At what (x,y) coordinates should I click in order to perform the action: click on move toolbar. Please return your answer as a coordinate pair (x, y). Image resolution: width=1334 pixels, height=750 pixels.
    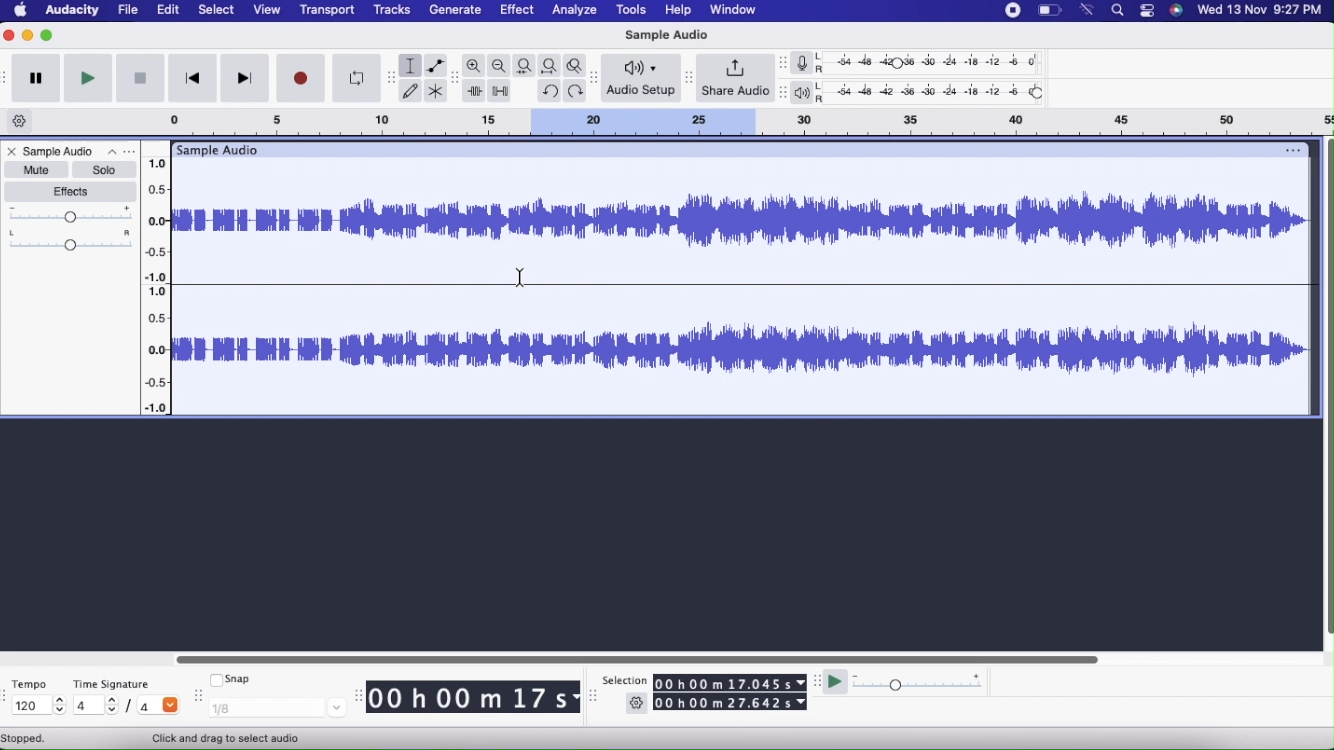
    Looking at the image, I should click on (594, 696).